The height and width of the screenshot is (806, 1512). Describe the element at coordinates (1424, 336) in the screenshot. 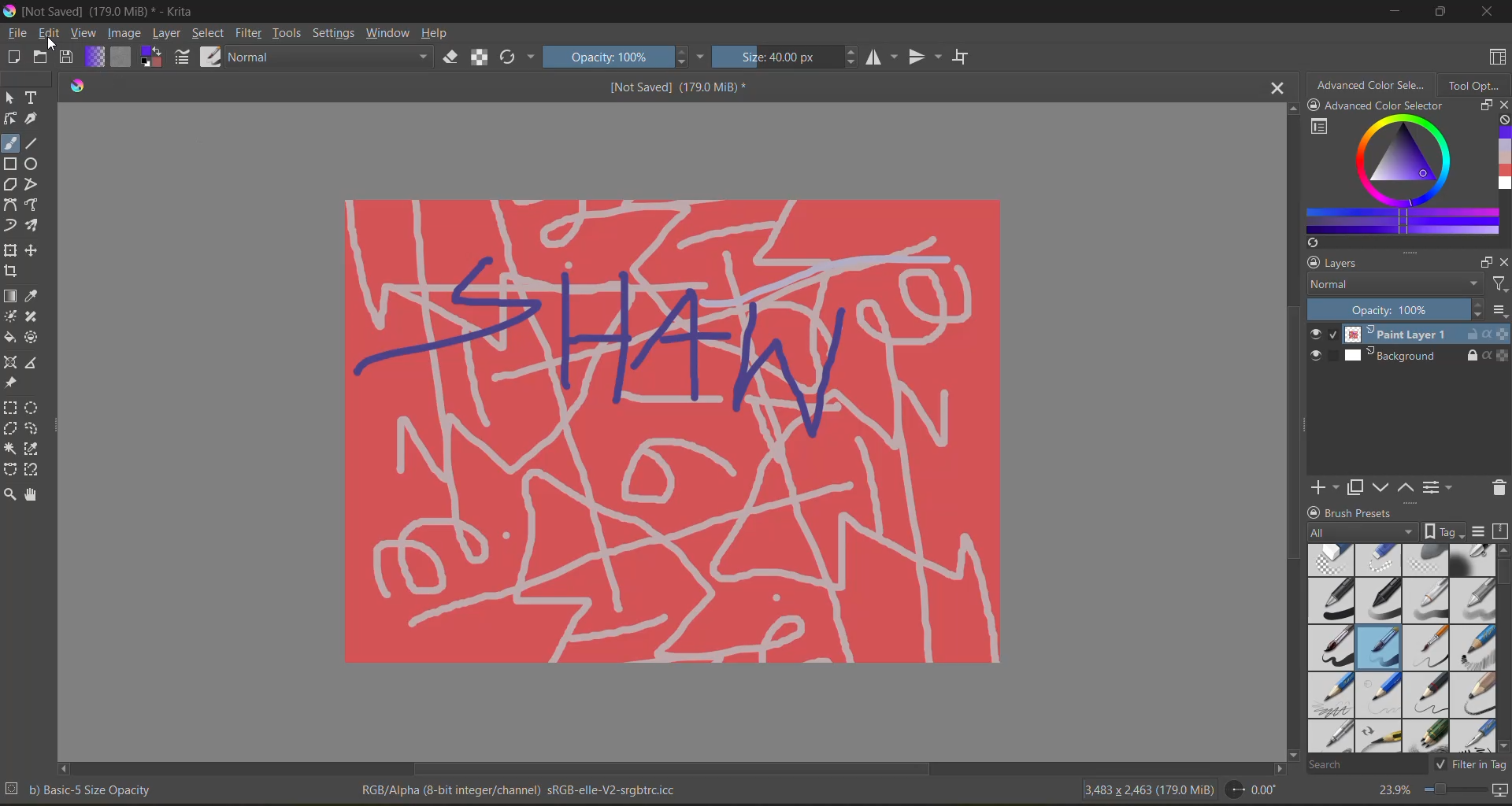

I see `Paint Layer 1` at that location.